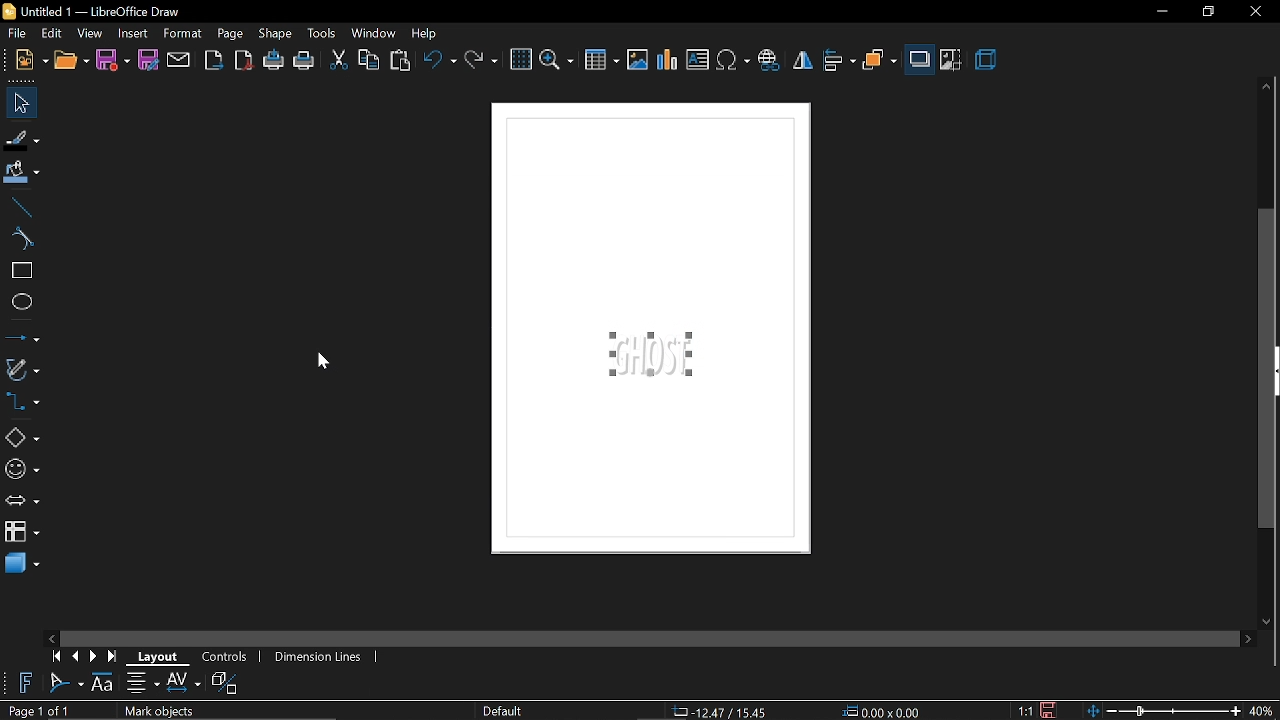  What do you see at coordinates (18, 101) in the screenshot?
I see `select` at bounding box center [18, 101].